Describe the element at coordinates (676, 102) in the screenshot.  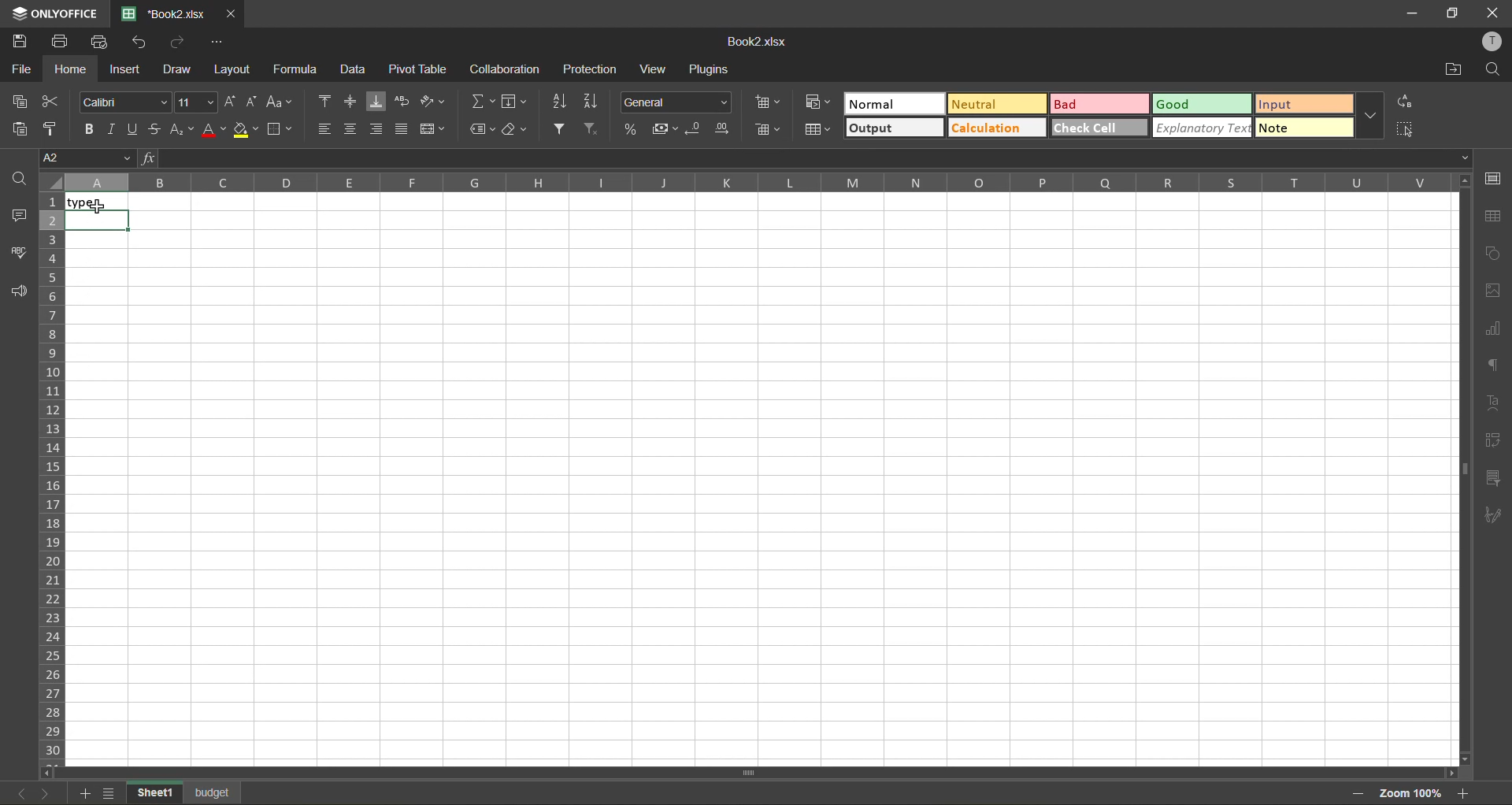
I see `number format` at that location.